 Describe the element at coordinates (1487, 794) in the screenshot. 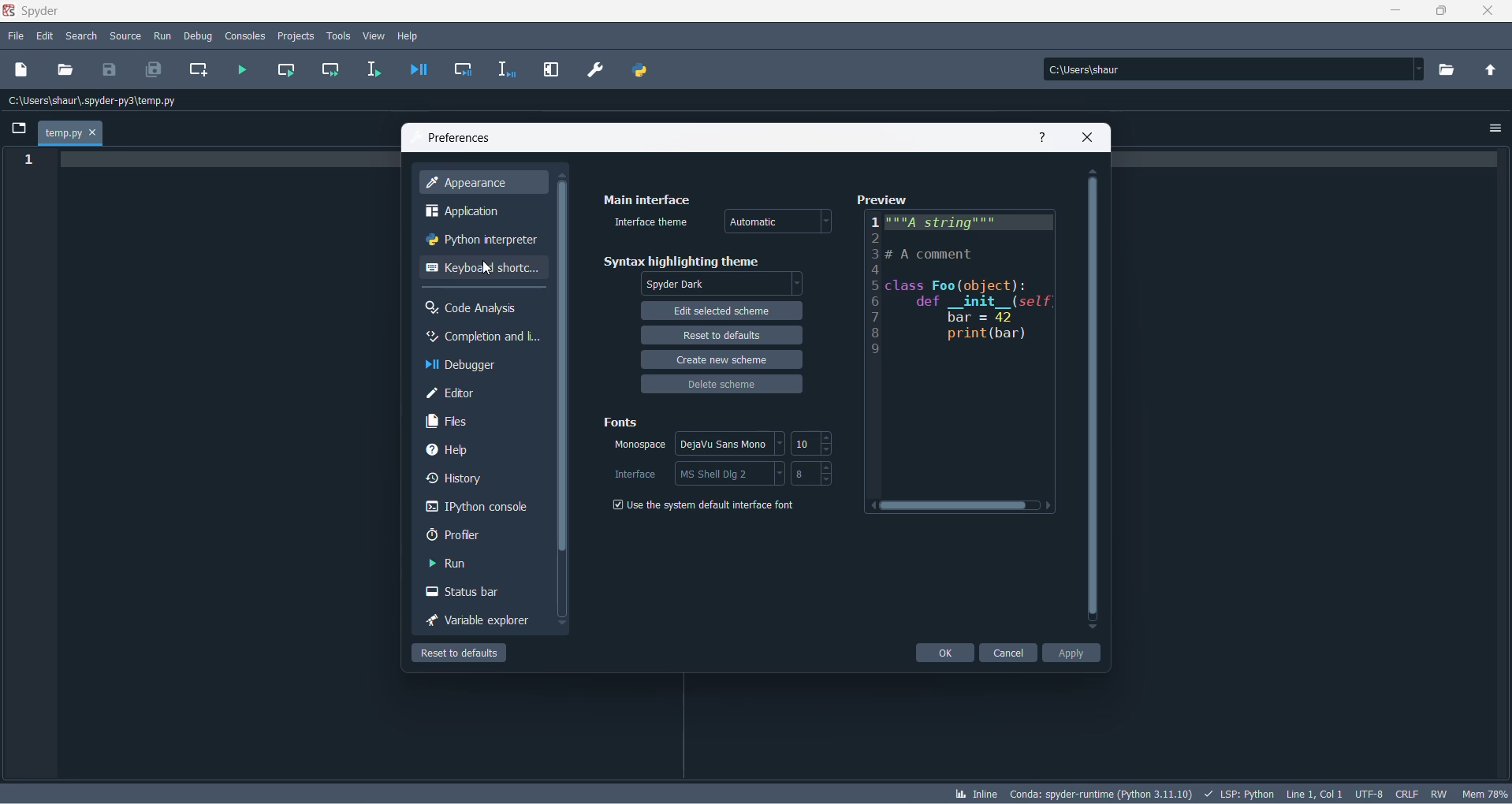

I see `memory usage` at that location.